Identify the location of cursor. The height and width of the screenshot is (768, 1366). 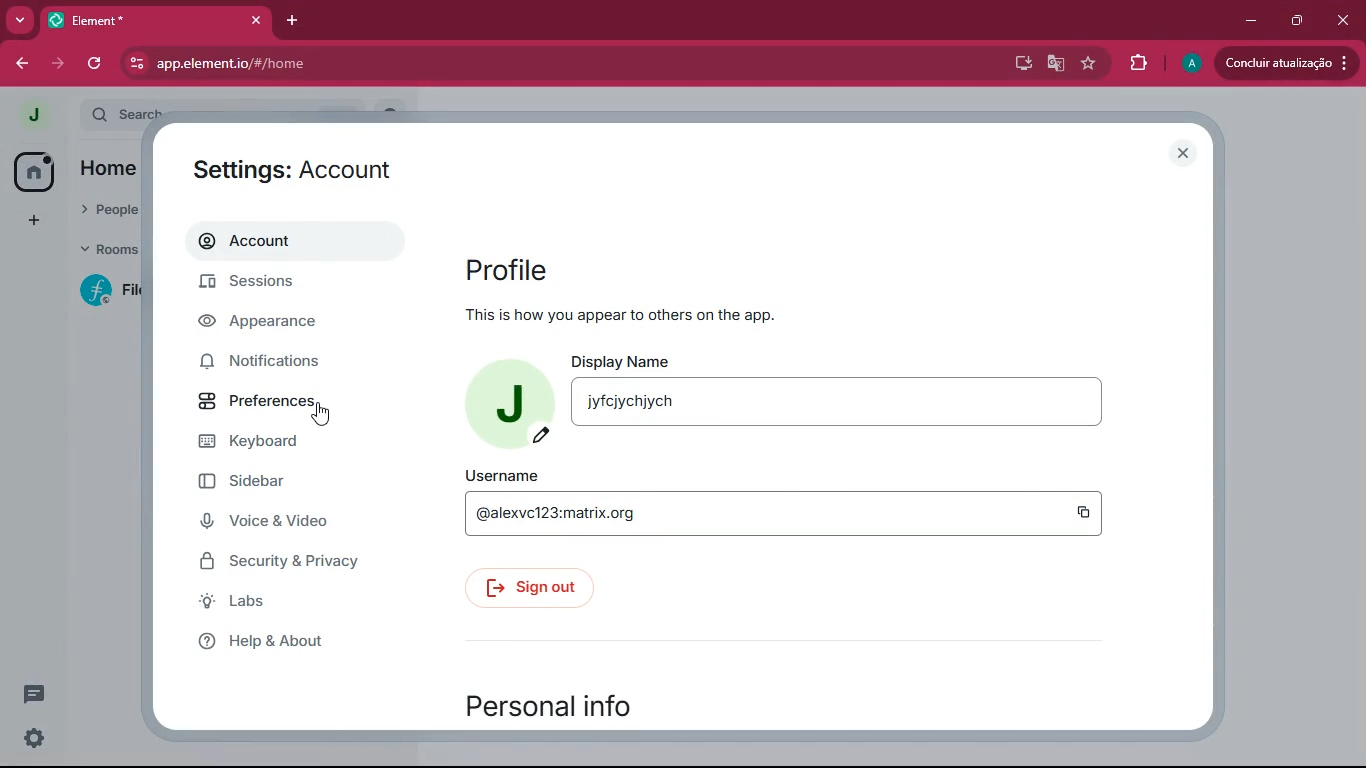
(323, 416).